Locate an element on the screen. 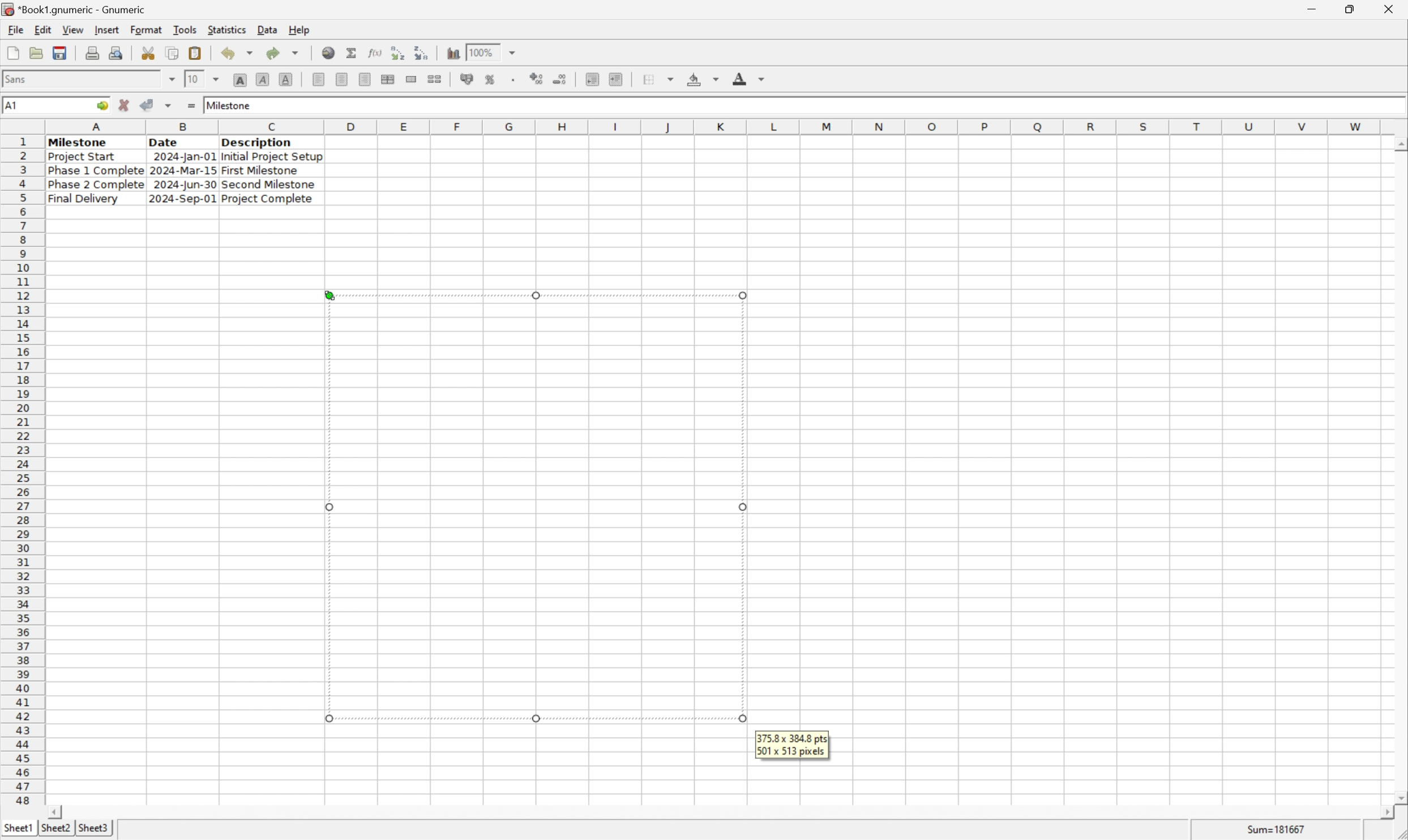 This screenshot has height=840, width=1408. file is located at coordinates (15, 30).